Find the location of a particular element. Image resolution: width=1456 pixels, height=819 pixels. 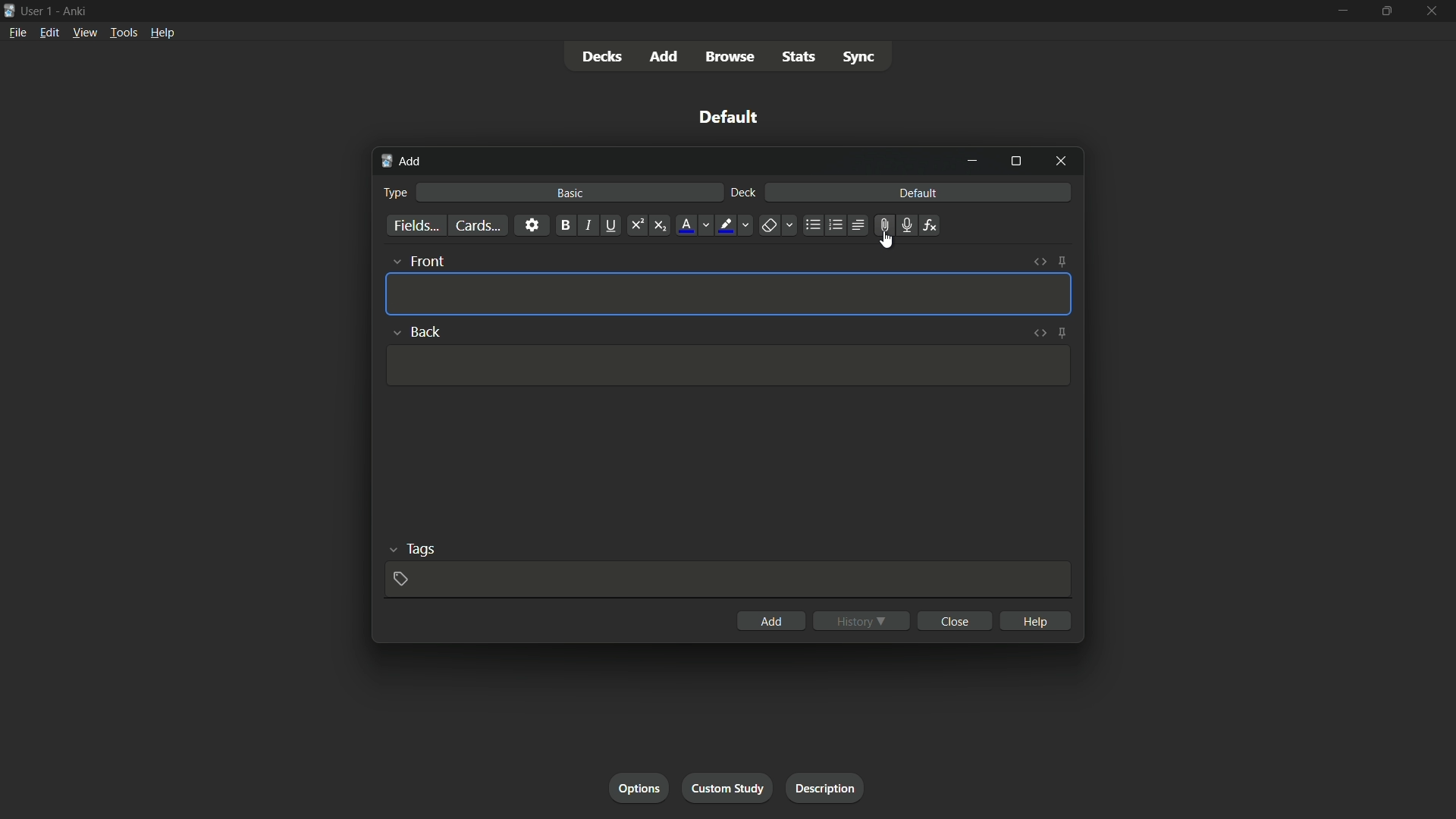

front is located at coordinates (416, 259).